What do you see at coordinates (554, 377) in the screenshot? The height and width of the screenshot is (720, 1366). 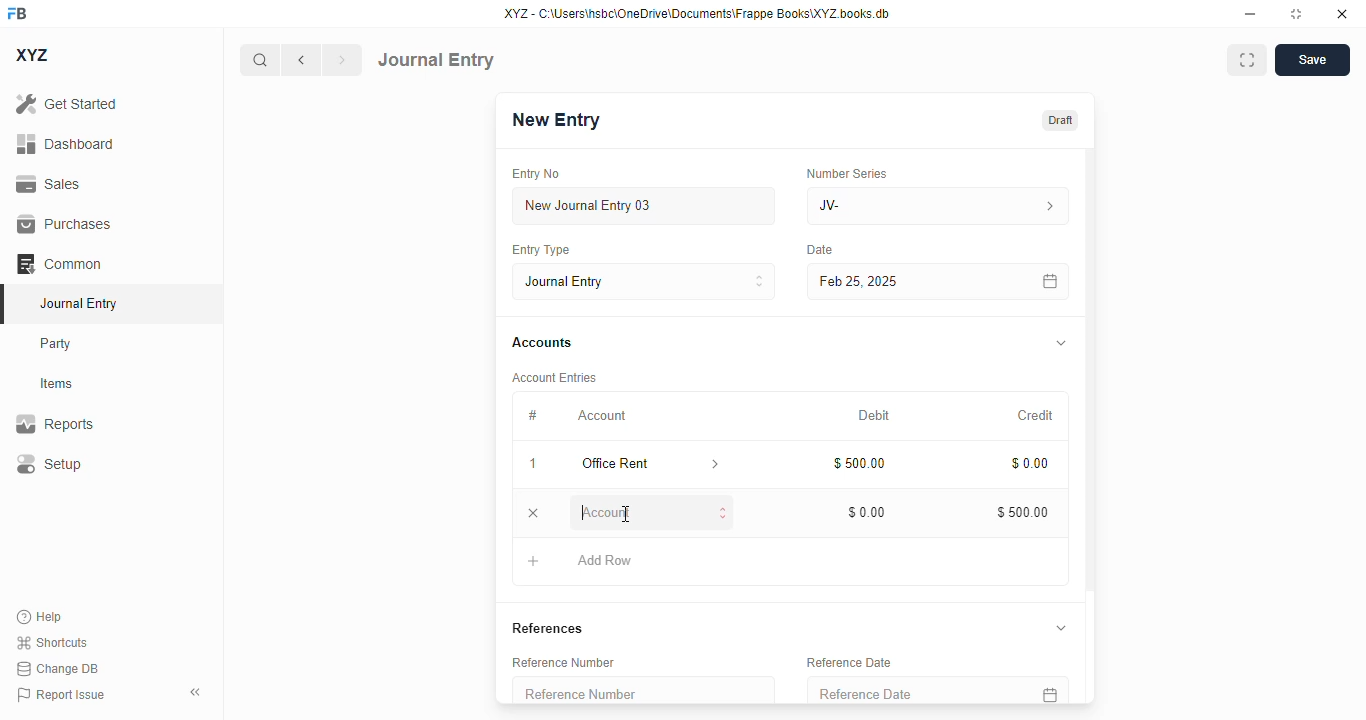 I see `account entries` at bounding box center [554, 377].